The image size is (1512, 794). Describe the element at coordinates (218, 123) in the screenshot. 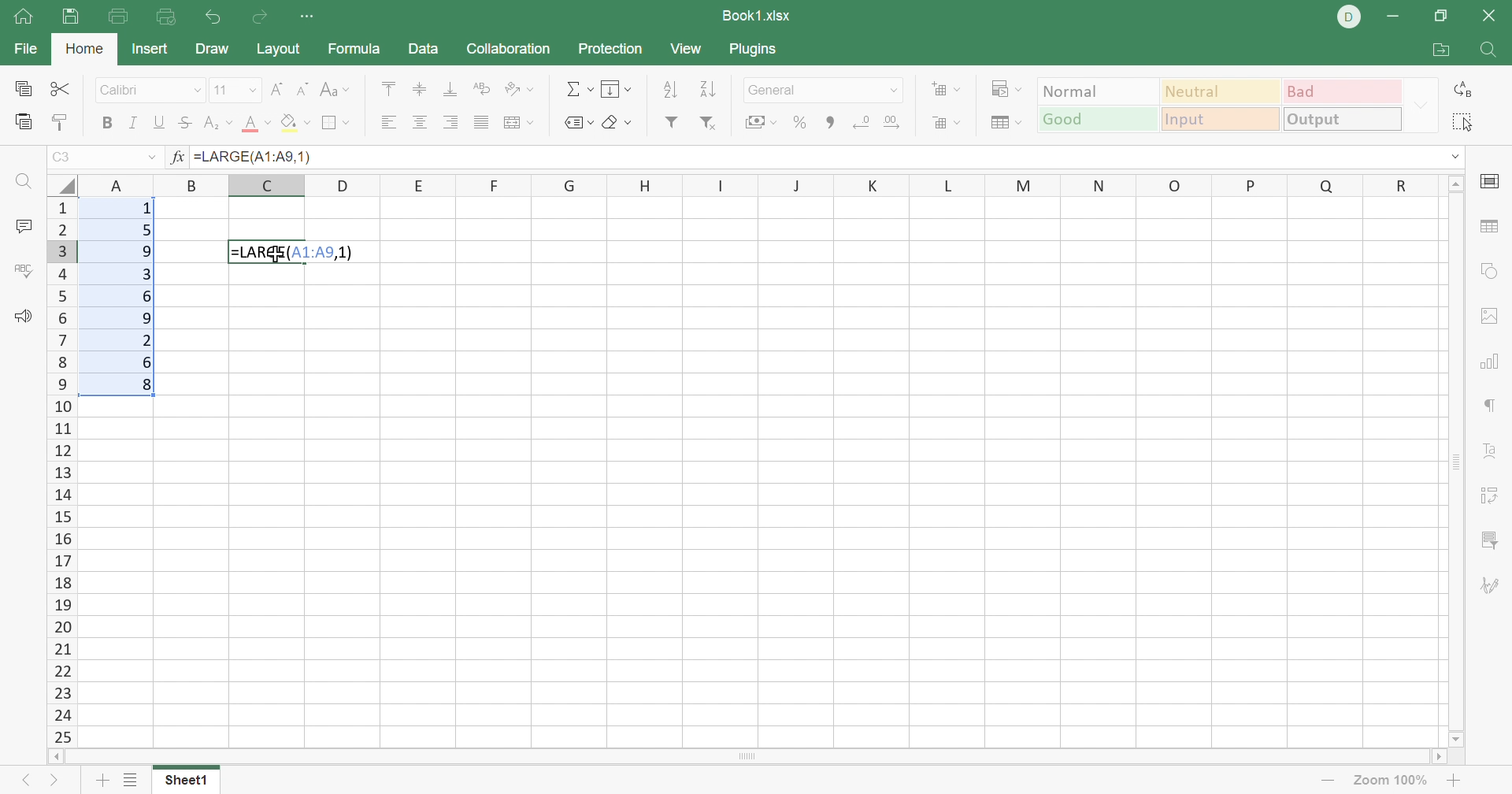

I see `Superscript / subscript` at that location.